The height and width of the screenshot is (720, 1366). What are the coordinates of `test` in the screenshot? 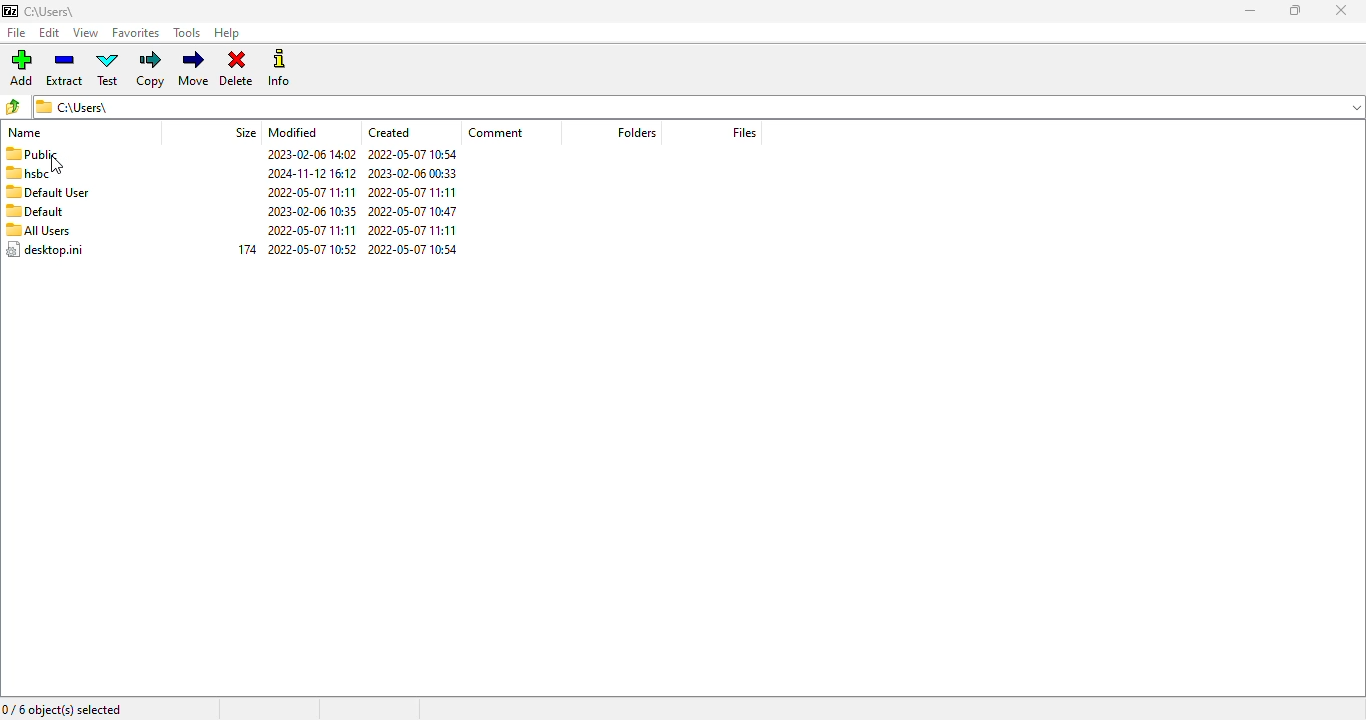 It's located at (108, 69).